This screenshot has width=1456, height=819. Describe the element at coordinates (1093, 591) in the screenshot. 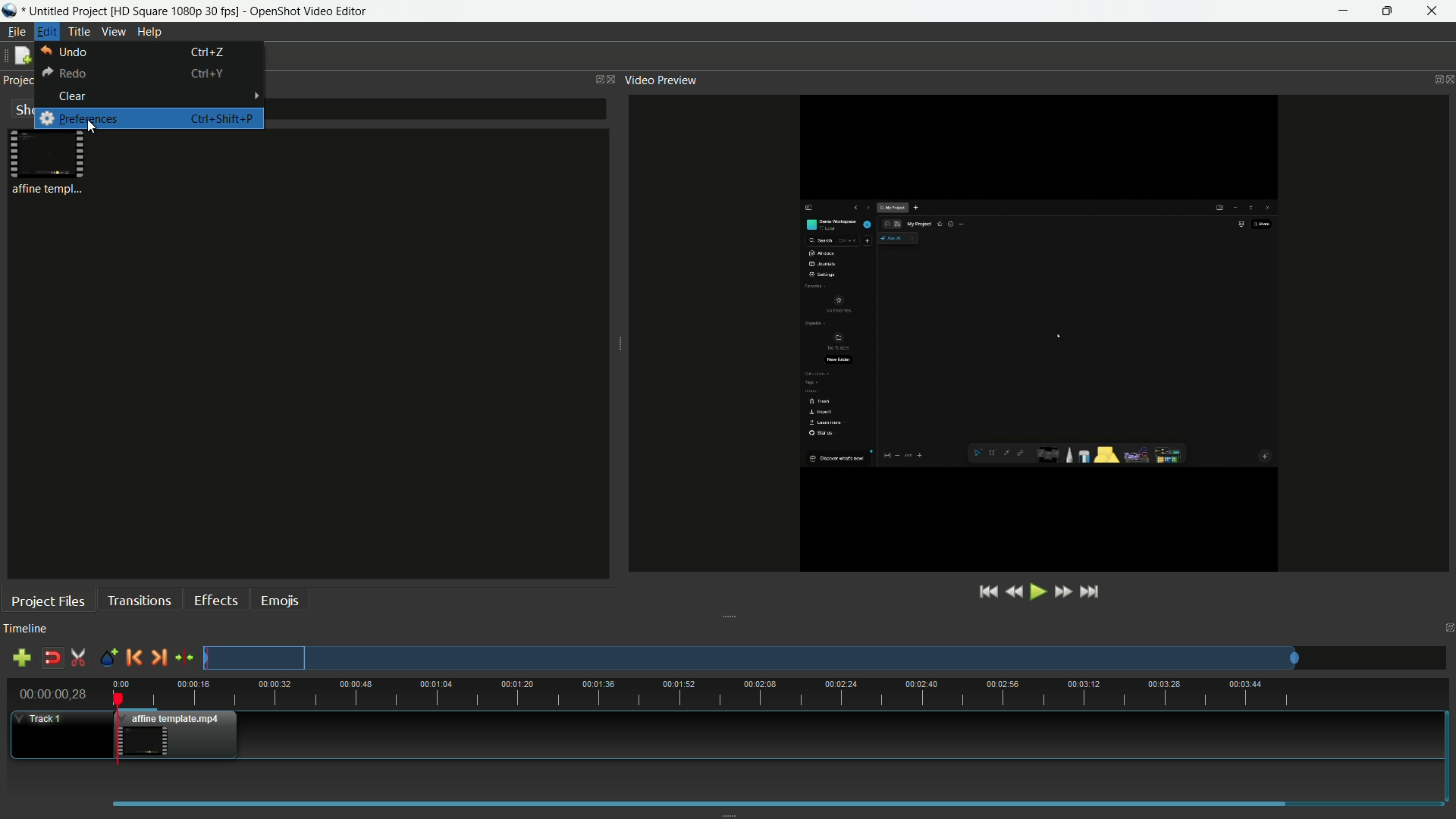

I see `jump to end` at that location.